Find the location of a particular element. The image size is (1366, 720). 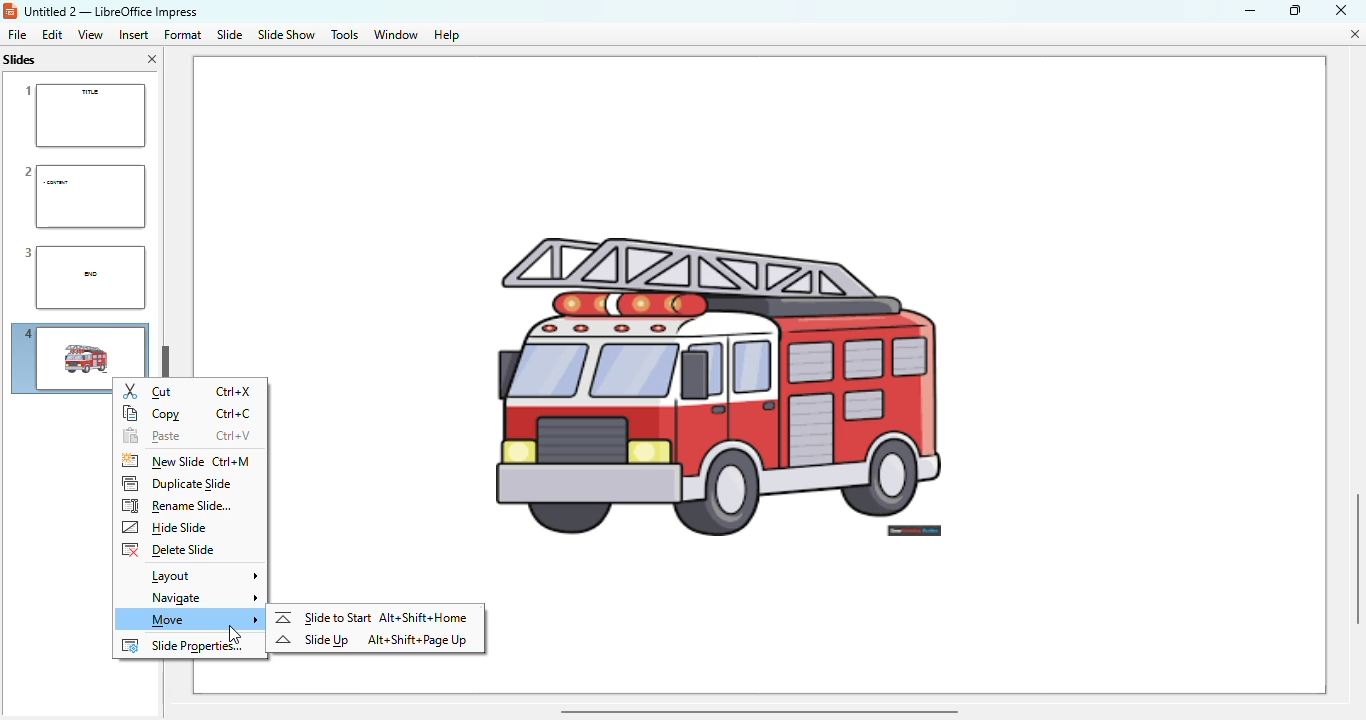

cursor is located at coordinates (234, 634).